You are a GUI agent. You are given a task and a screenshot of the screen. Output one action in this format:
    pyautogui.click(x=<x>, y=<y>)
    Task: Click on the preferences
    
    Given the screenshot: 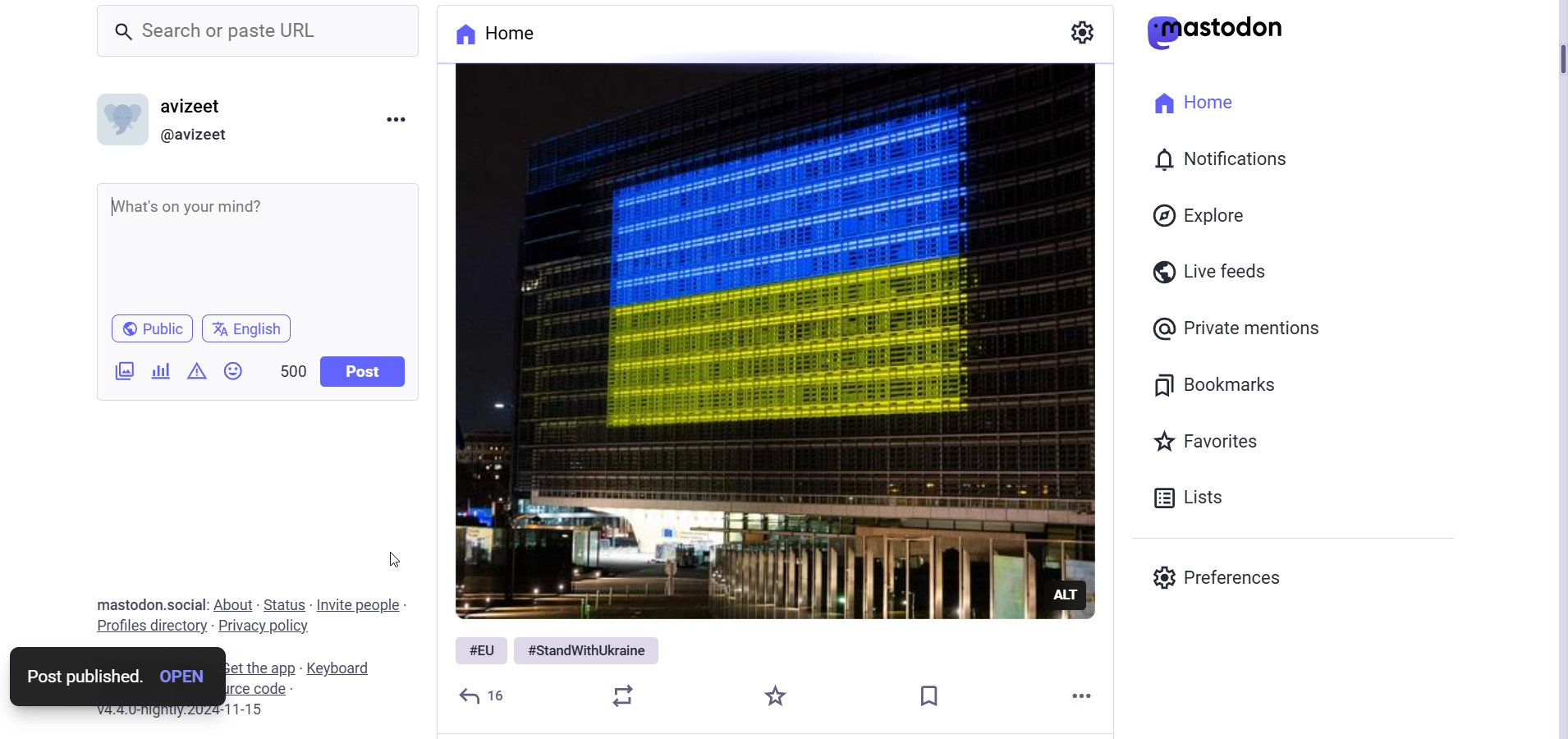 What is the action you would take?
    pyautogui.click(x=1216, y=579)
    